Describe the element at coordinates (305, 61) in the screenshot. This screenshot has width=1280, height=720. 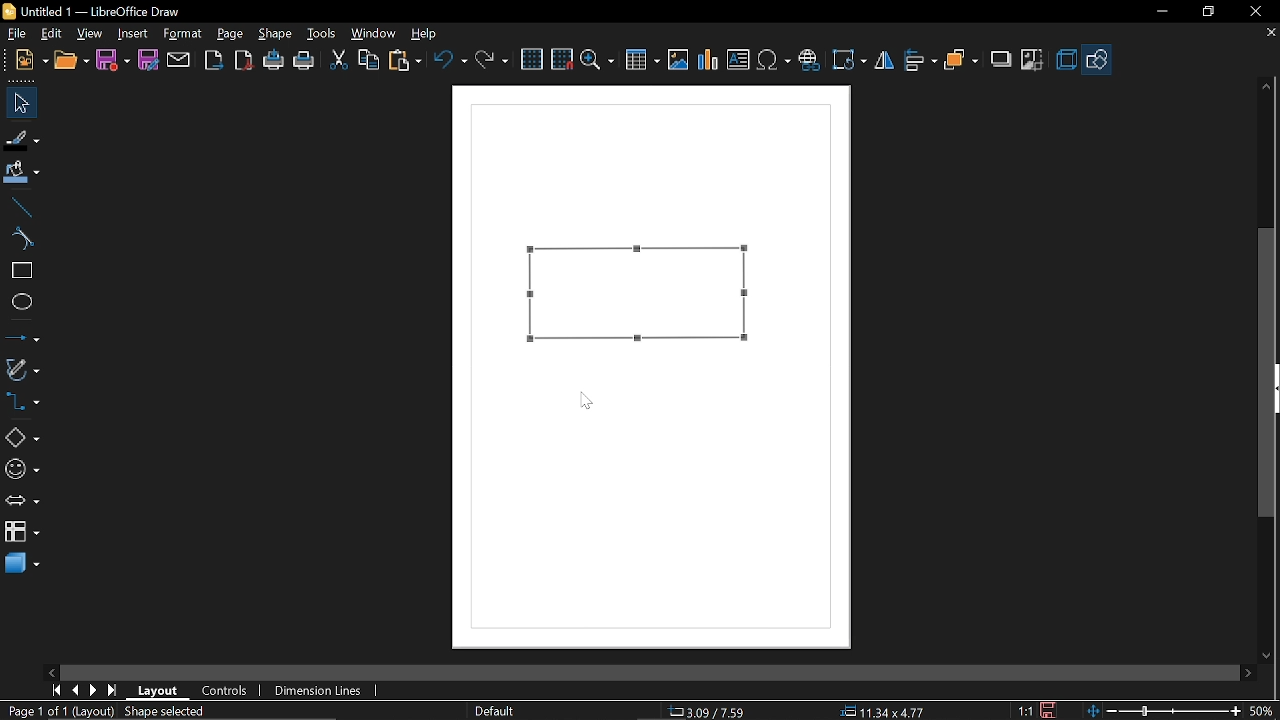
I see `Print` at that location.